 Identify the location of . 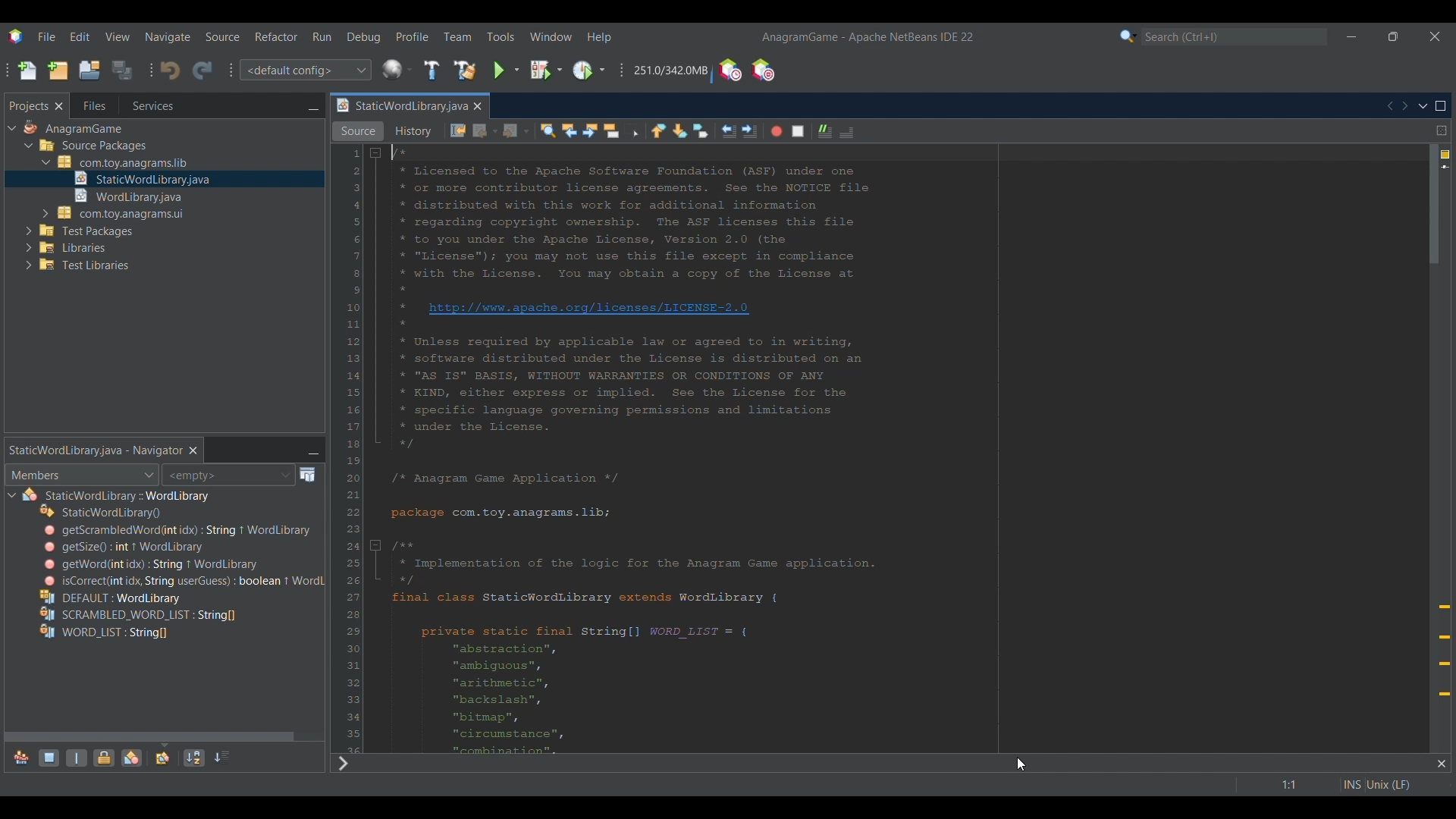
(72, 246).